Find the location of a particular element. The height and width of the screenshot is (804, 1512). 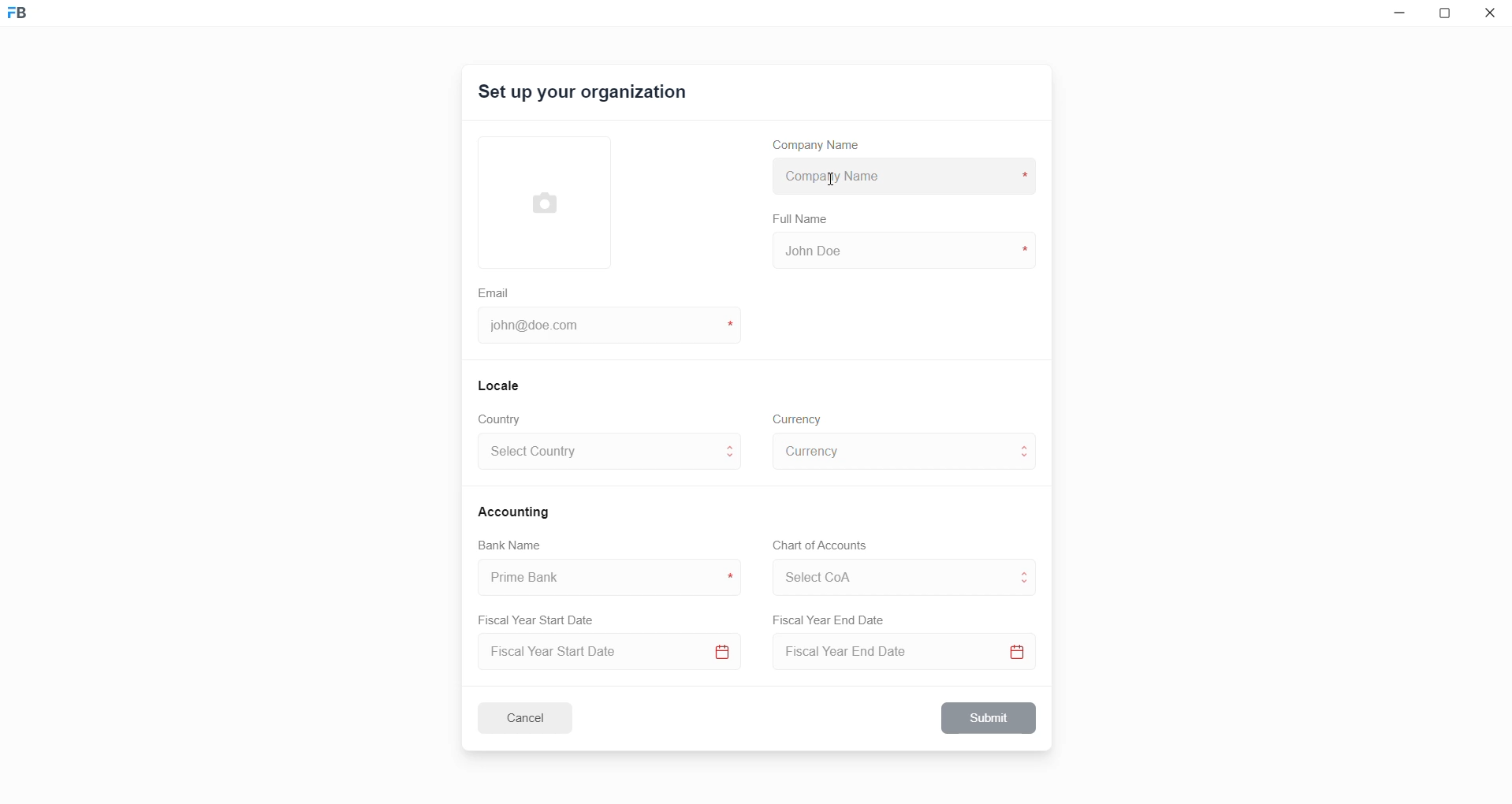

select Profile picture is located at coordinates (537, 200).